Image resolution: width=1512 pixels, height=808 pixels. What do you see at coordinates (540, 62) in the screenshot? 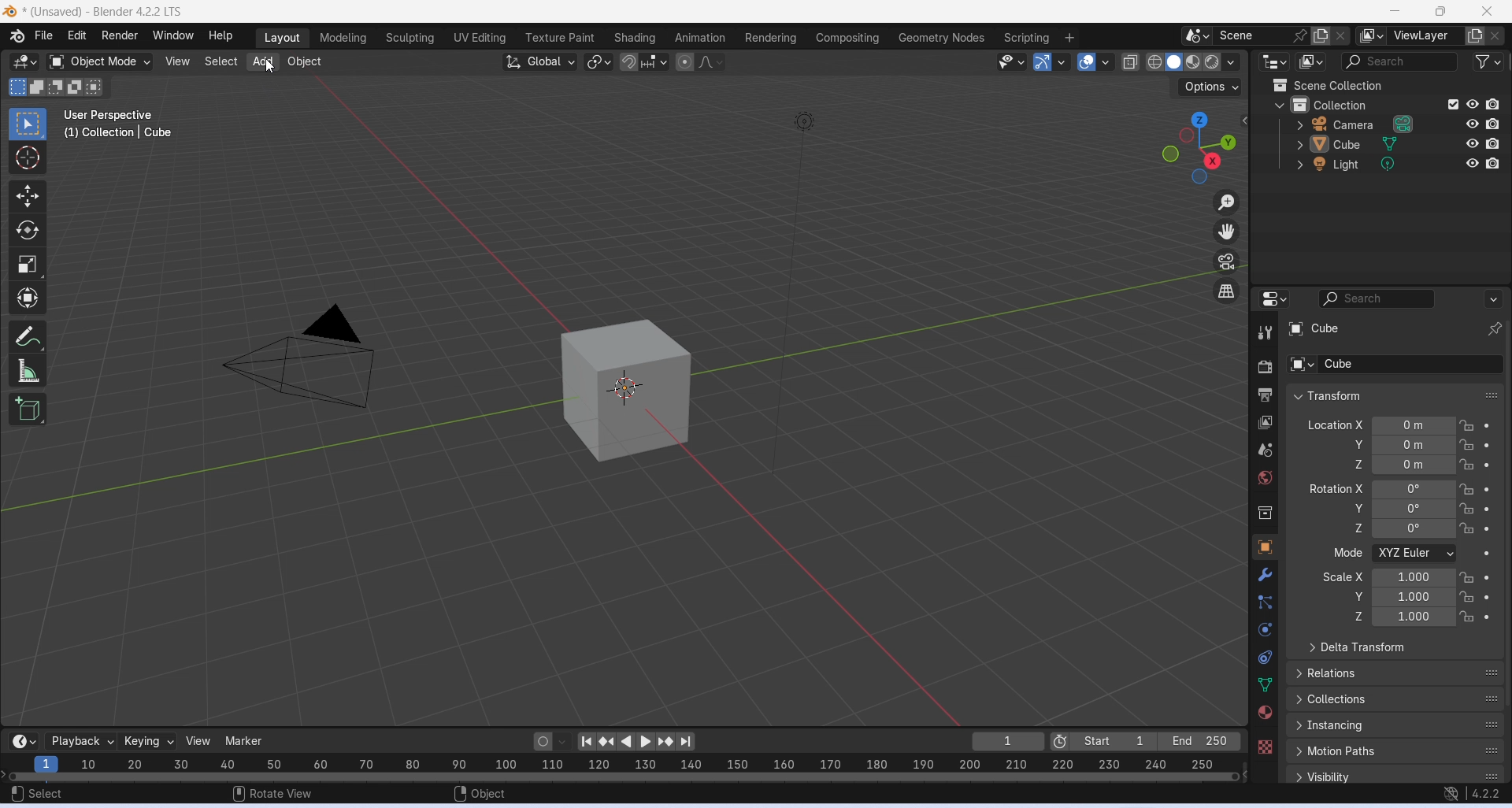
I see `transform orientation` at bounding box center [540, 62].